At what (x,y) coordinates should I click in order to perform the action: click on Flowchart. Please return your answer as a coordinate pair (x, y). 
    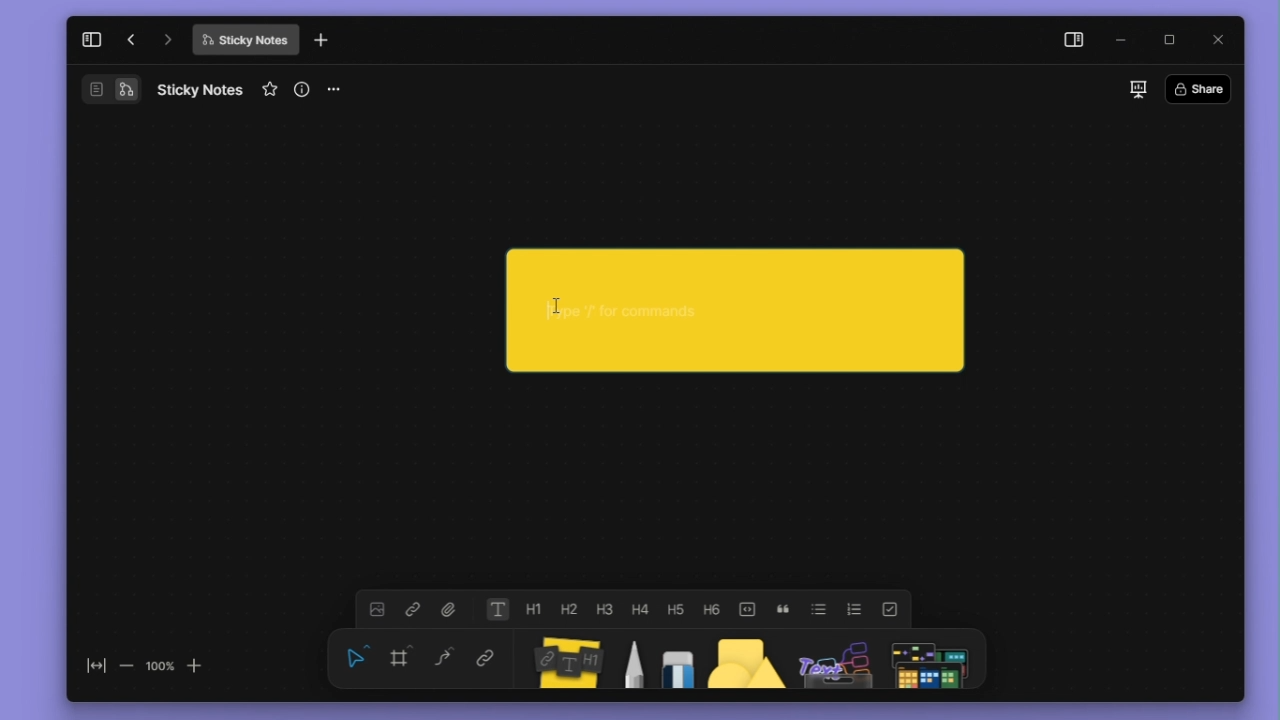
    Looking at the image, I should click on (129, 90).